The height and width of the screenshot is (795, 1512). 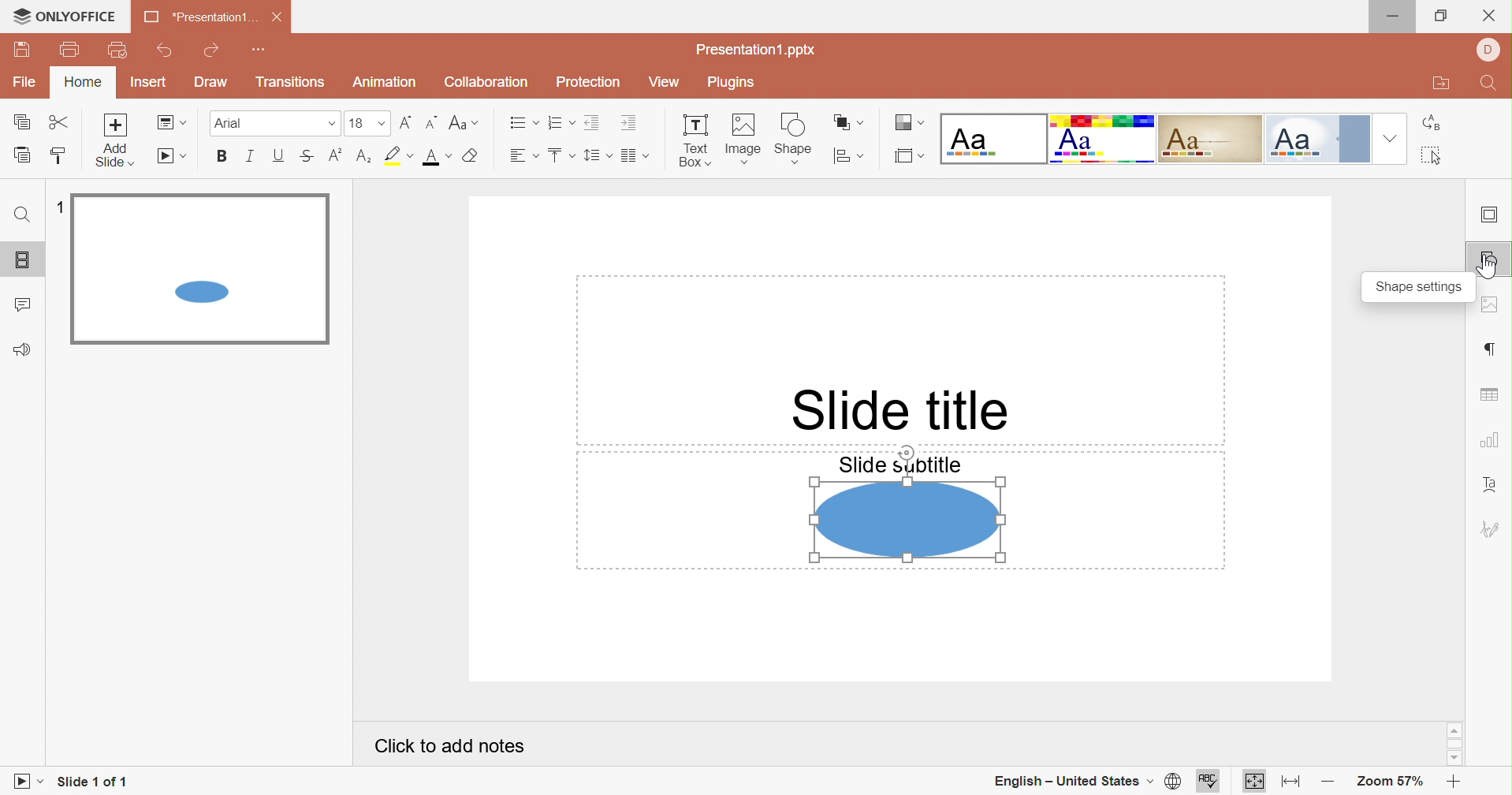 I want to click on Paragraph settings, so click(x=1489, y=349).